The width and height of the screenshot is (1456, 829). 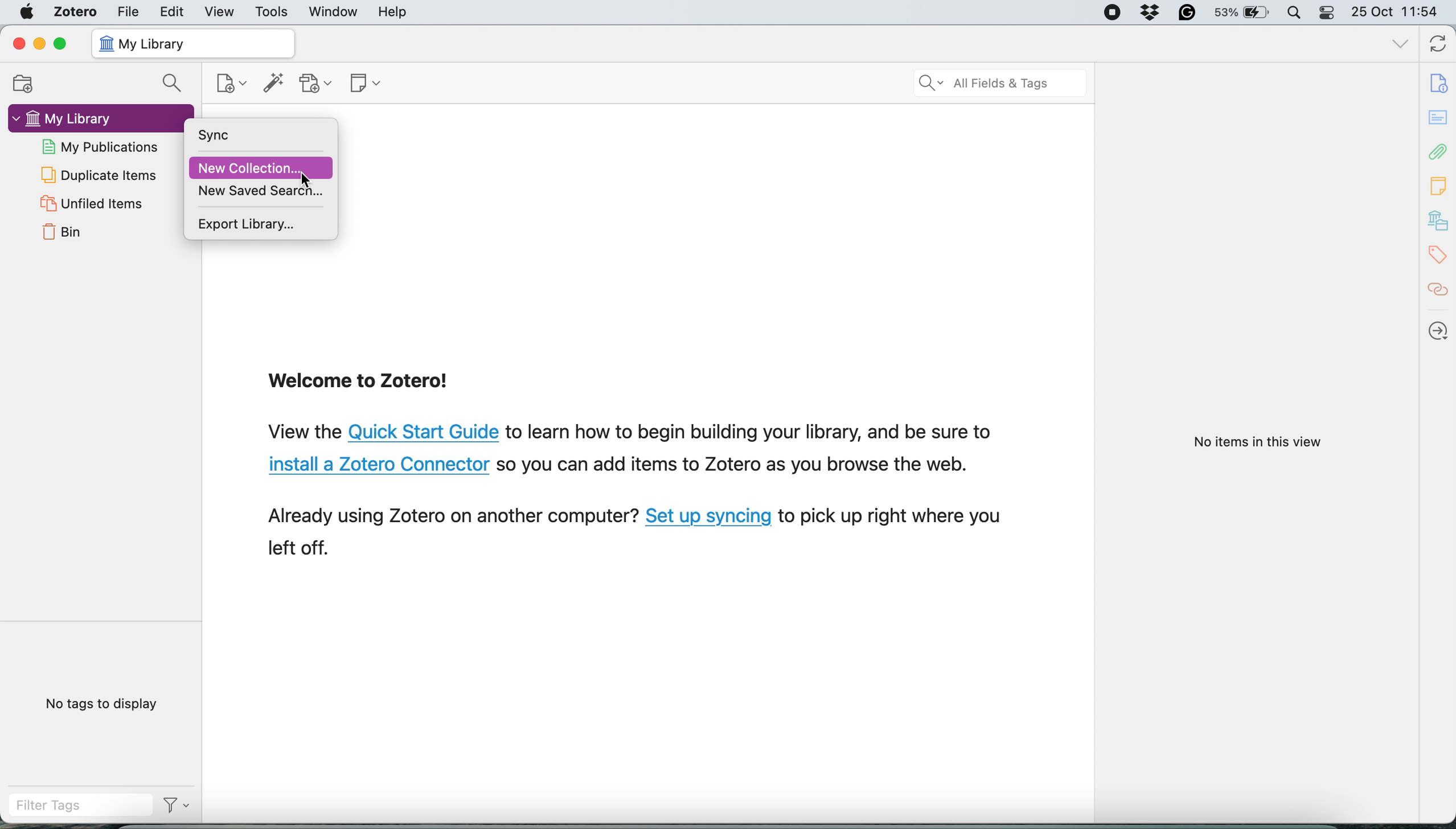 What do you see at coordinates (28, 83) in the screenshot?
I see `new collection` at bounding box center [28, 83].